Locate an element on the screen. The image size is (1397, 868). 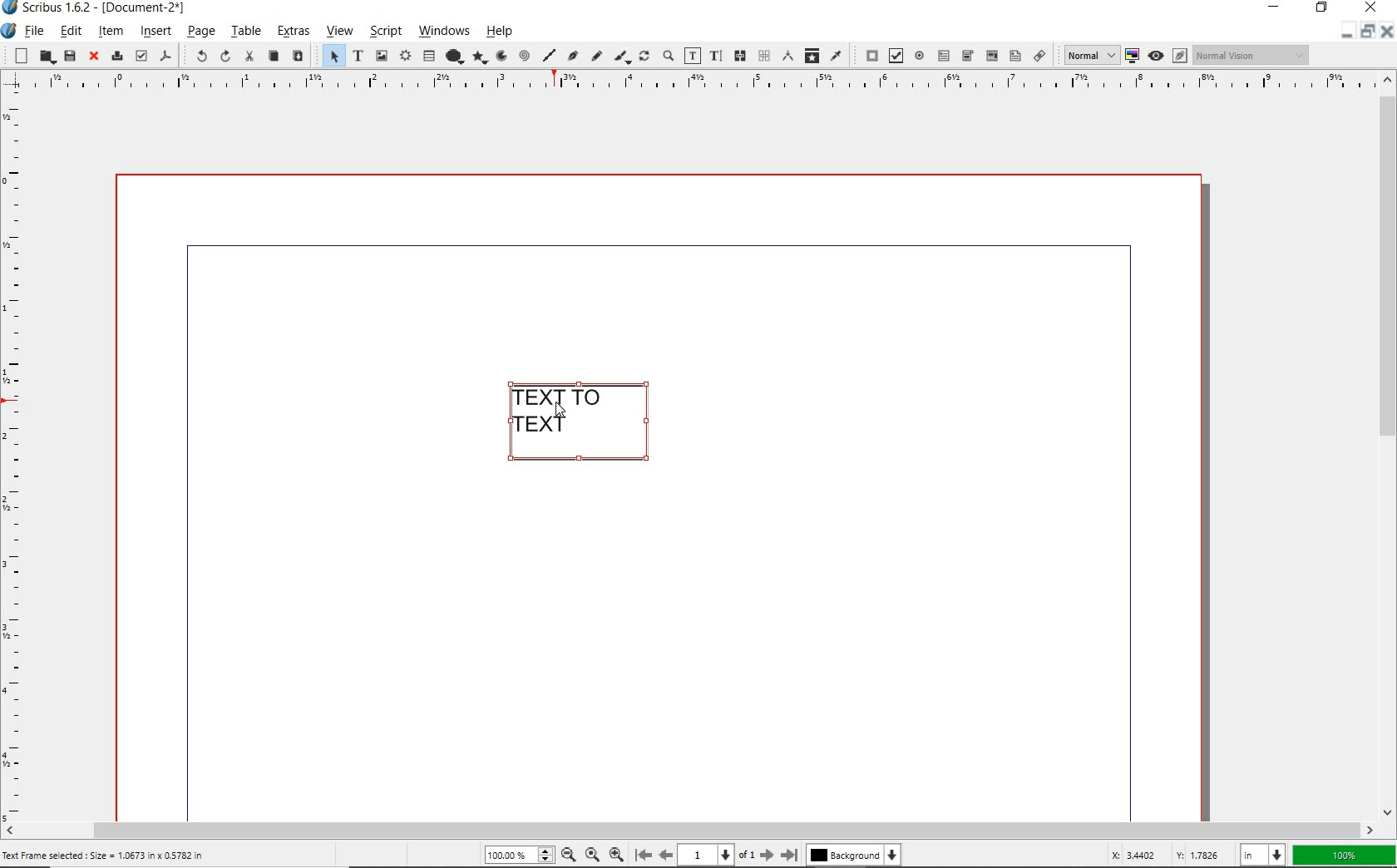
edit contents of frame is located at coordinates (693, 55).